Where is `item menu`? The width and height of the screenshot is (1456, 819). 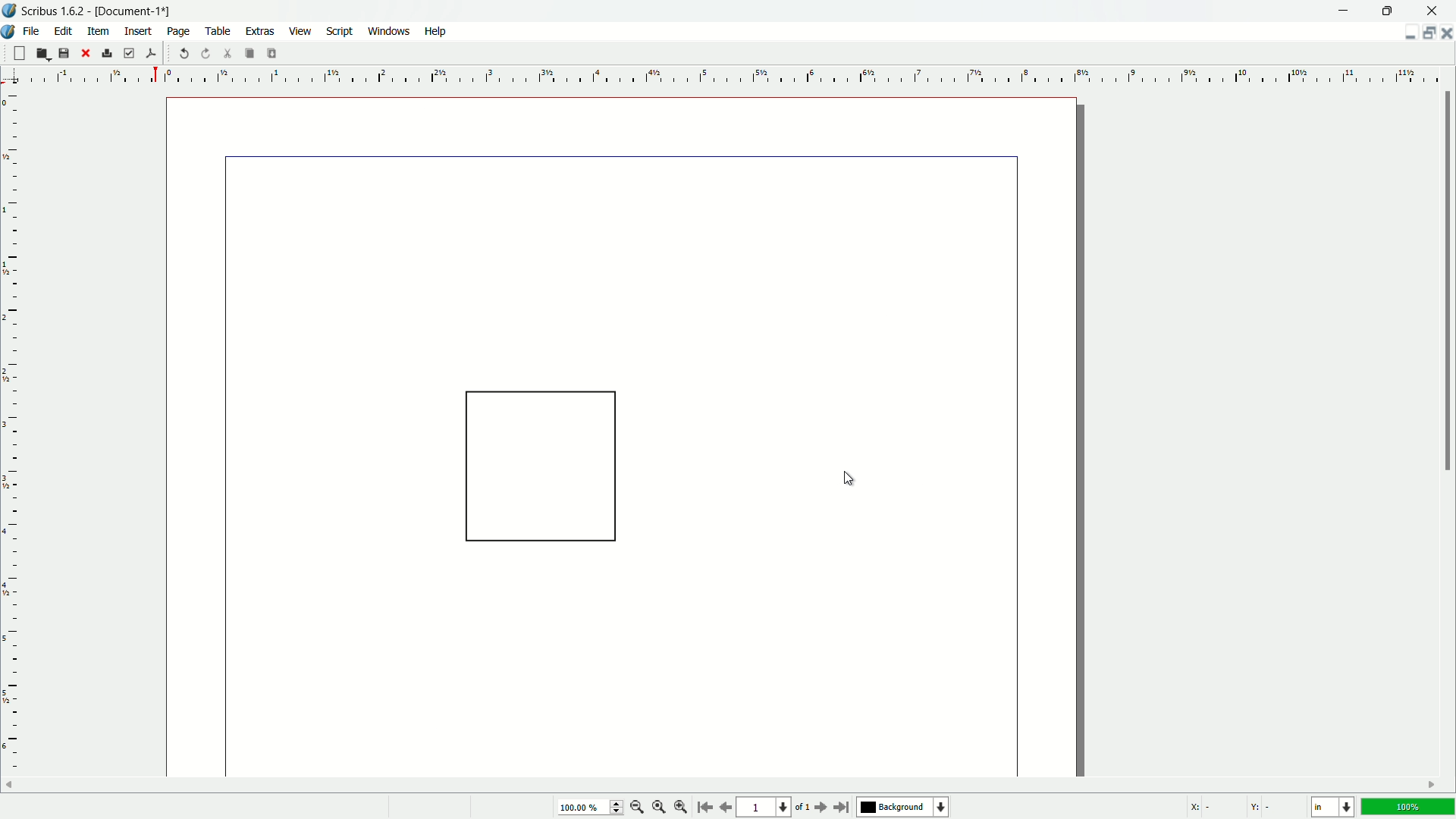
item menu is located at coordinates (98, 33).